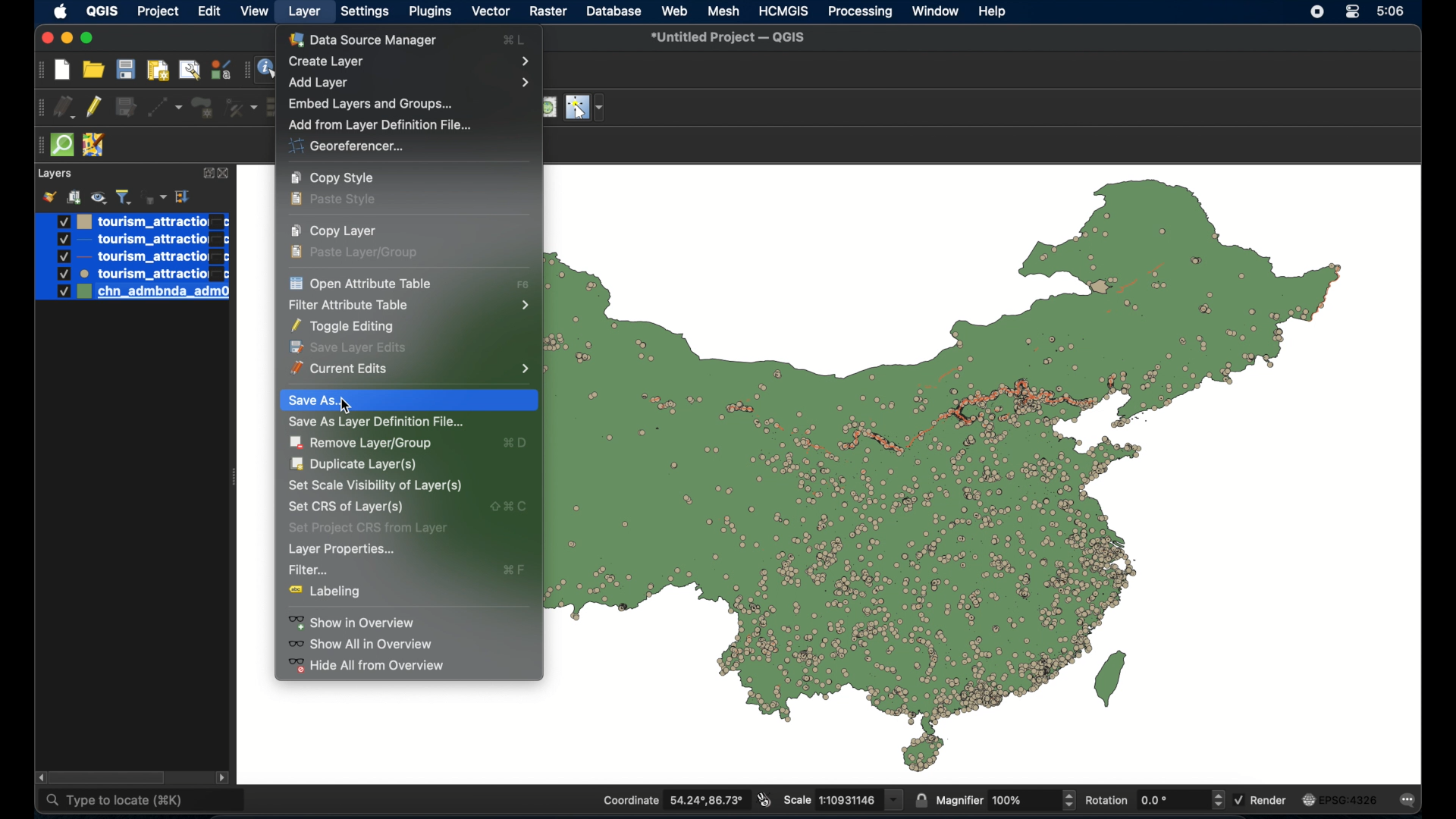 This screenshot has height=819, width=1456. What do you see at coordinates (93, 68) in the screenshot?
I see `open project` at bounding box center [93, 68].